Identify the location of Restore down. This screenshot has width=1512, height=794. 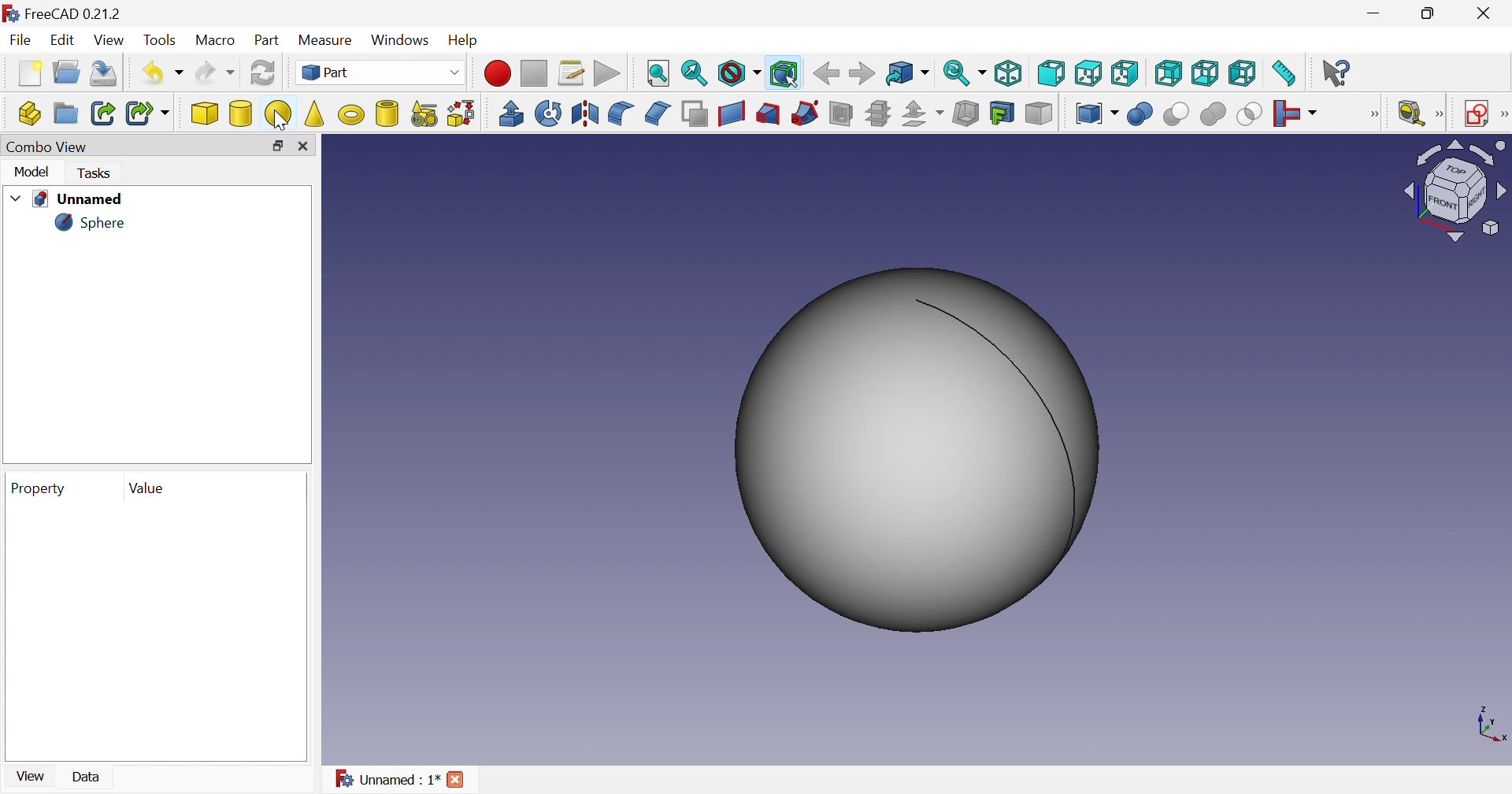
(279, 147).